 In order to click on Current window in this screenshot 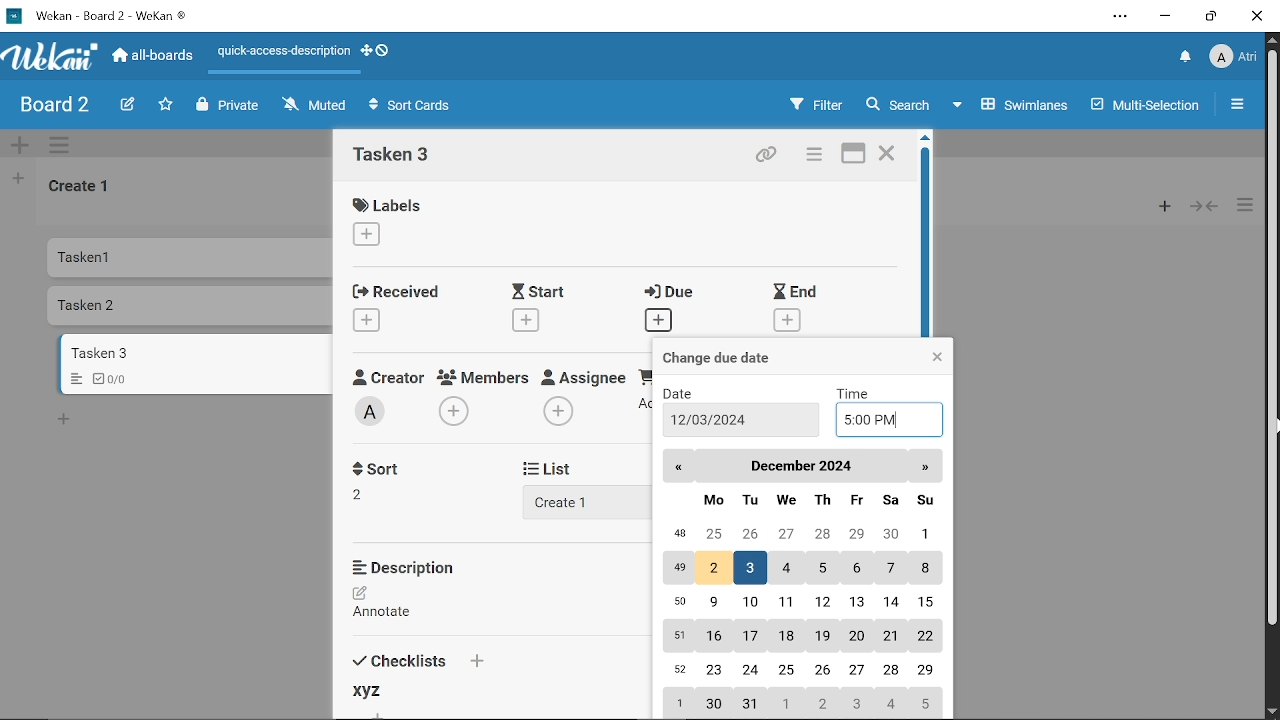, I will do `click(102, 15)`.